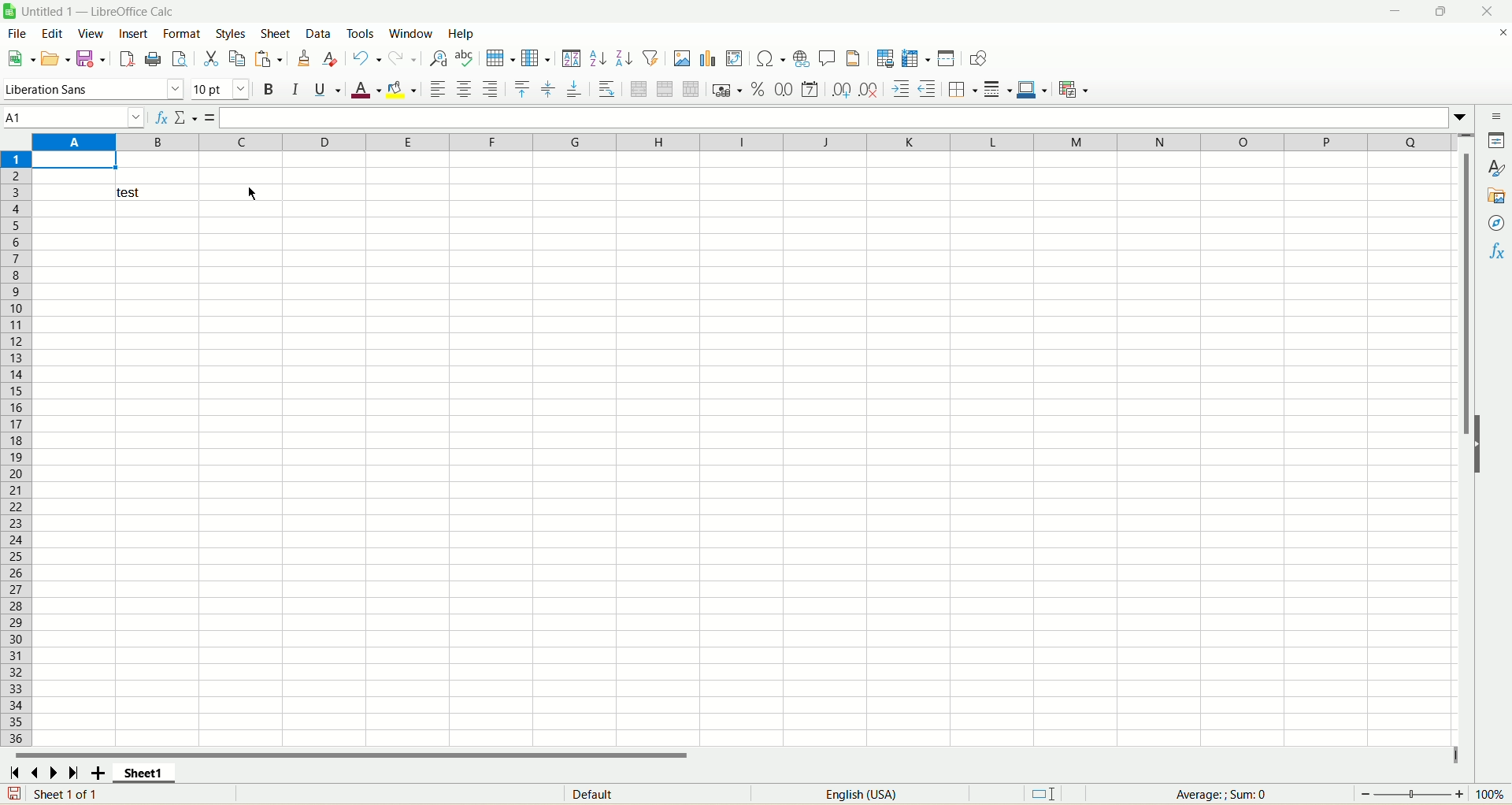  Describe the element at coordinates (68, 793) in the screenshot. I see `sheet 1 of 1` at that location.